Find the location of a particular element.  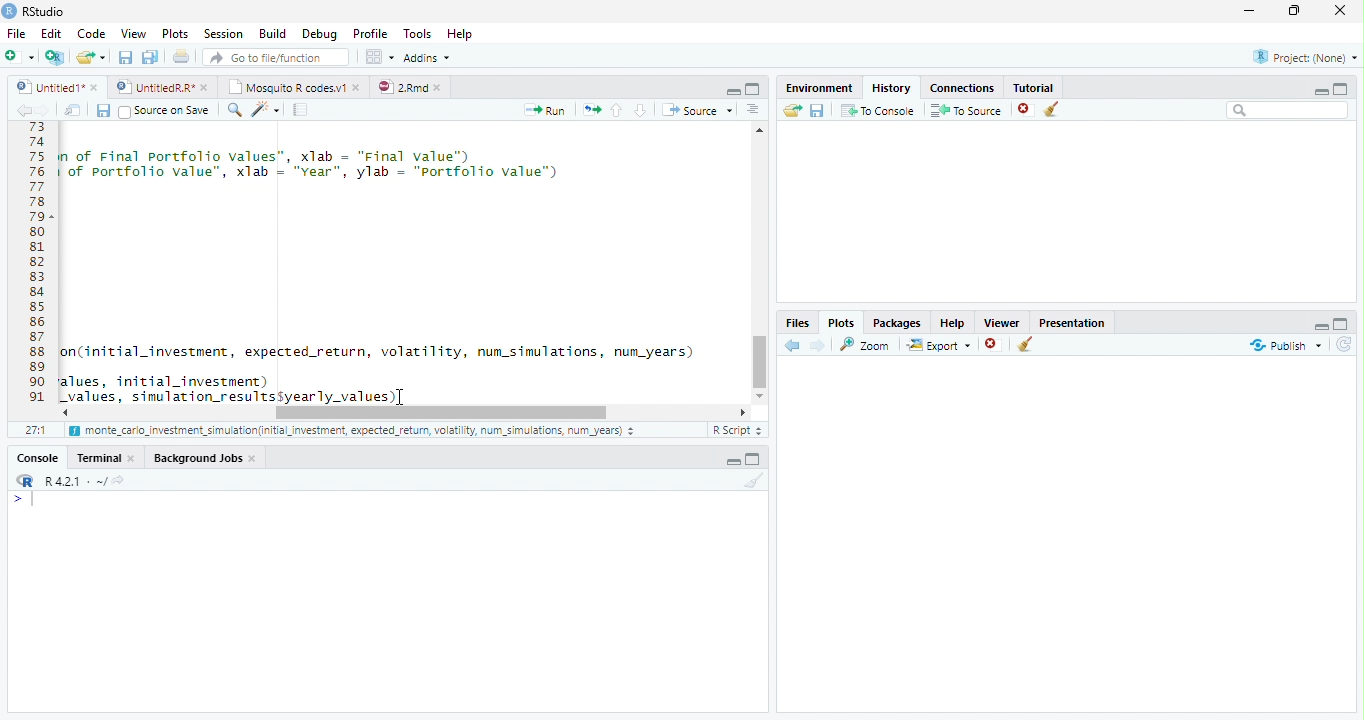

Remove Selected is located at coordinates (1027, 109).